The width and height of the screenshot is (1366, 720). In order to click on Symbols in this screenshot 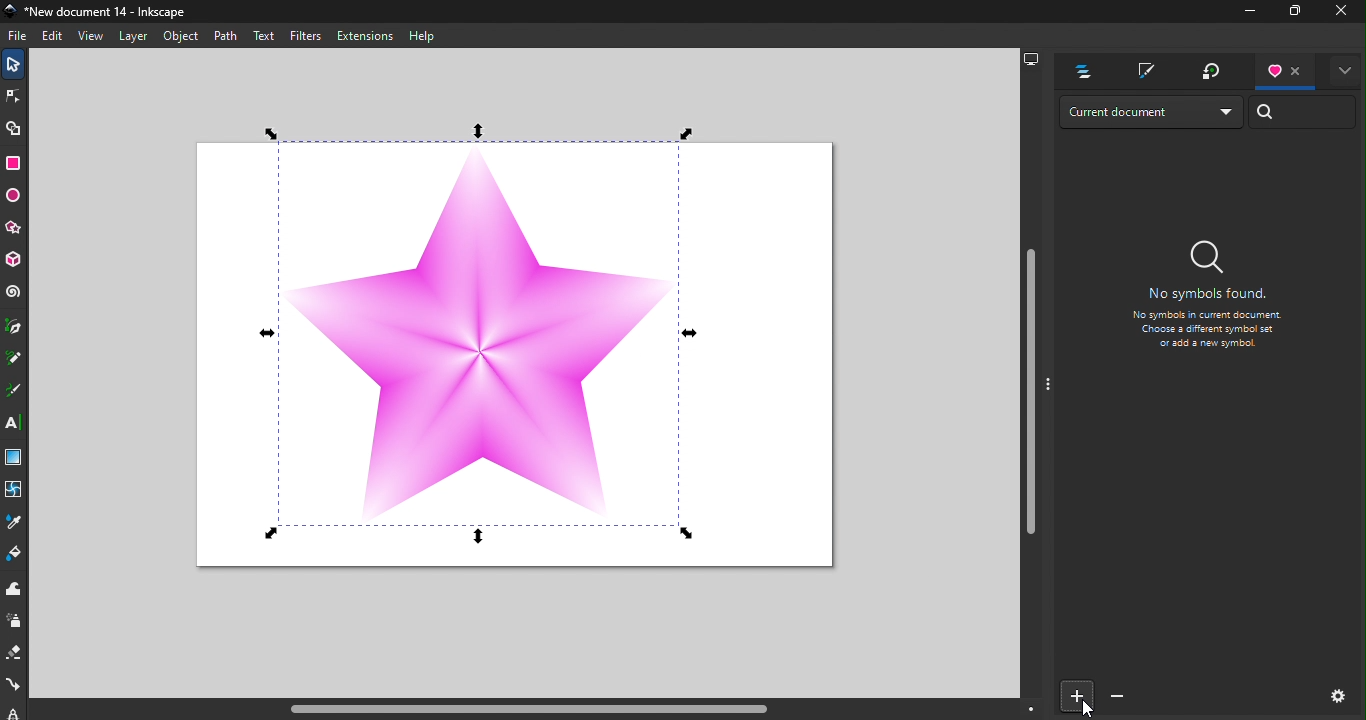, I will do `click(1274, 71)`.